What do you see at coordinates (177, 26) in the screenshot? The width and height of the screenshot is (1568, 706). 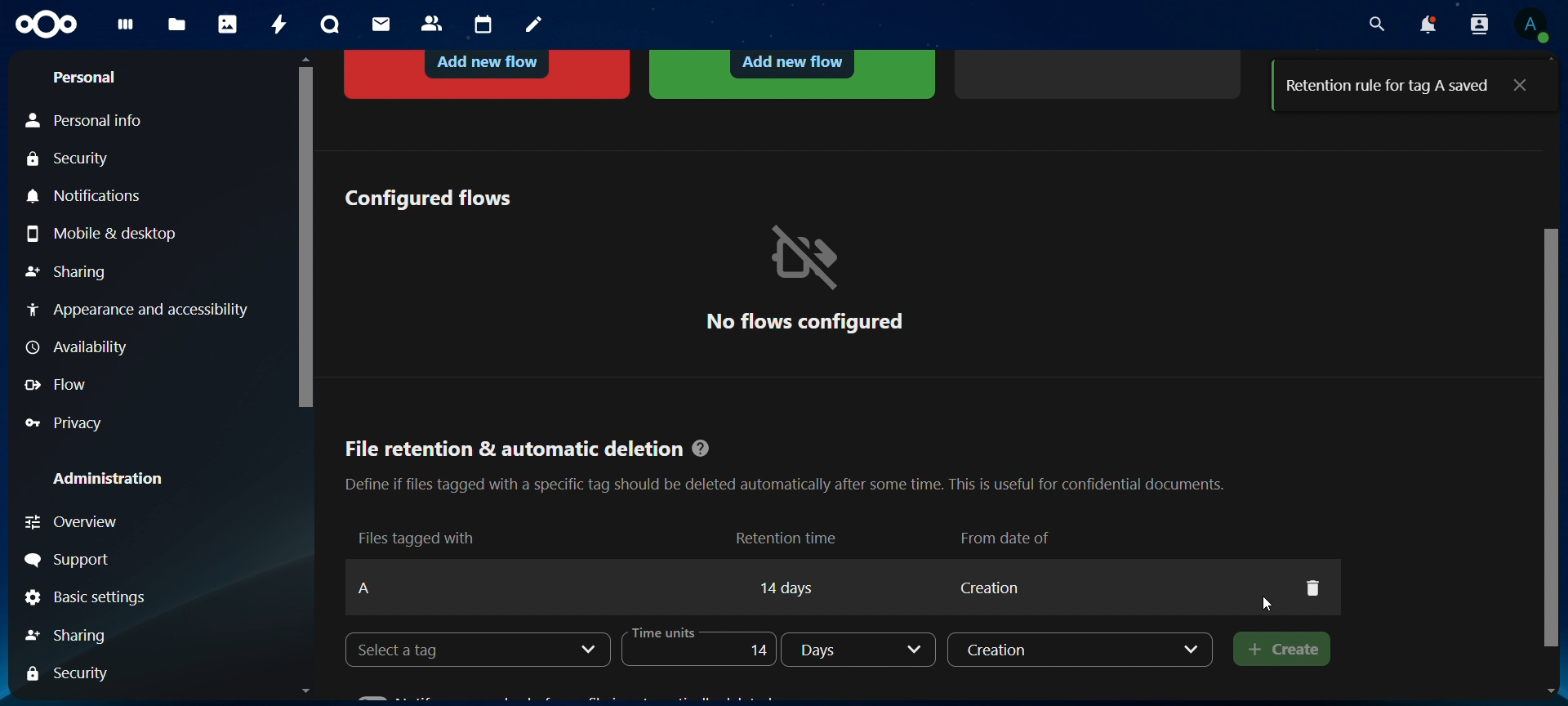 I see `files` at bounding box center [177, 26].